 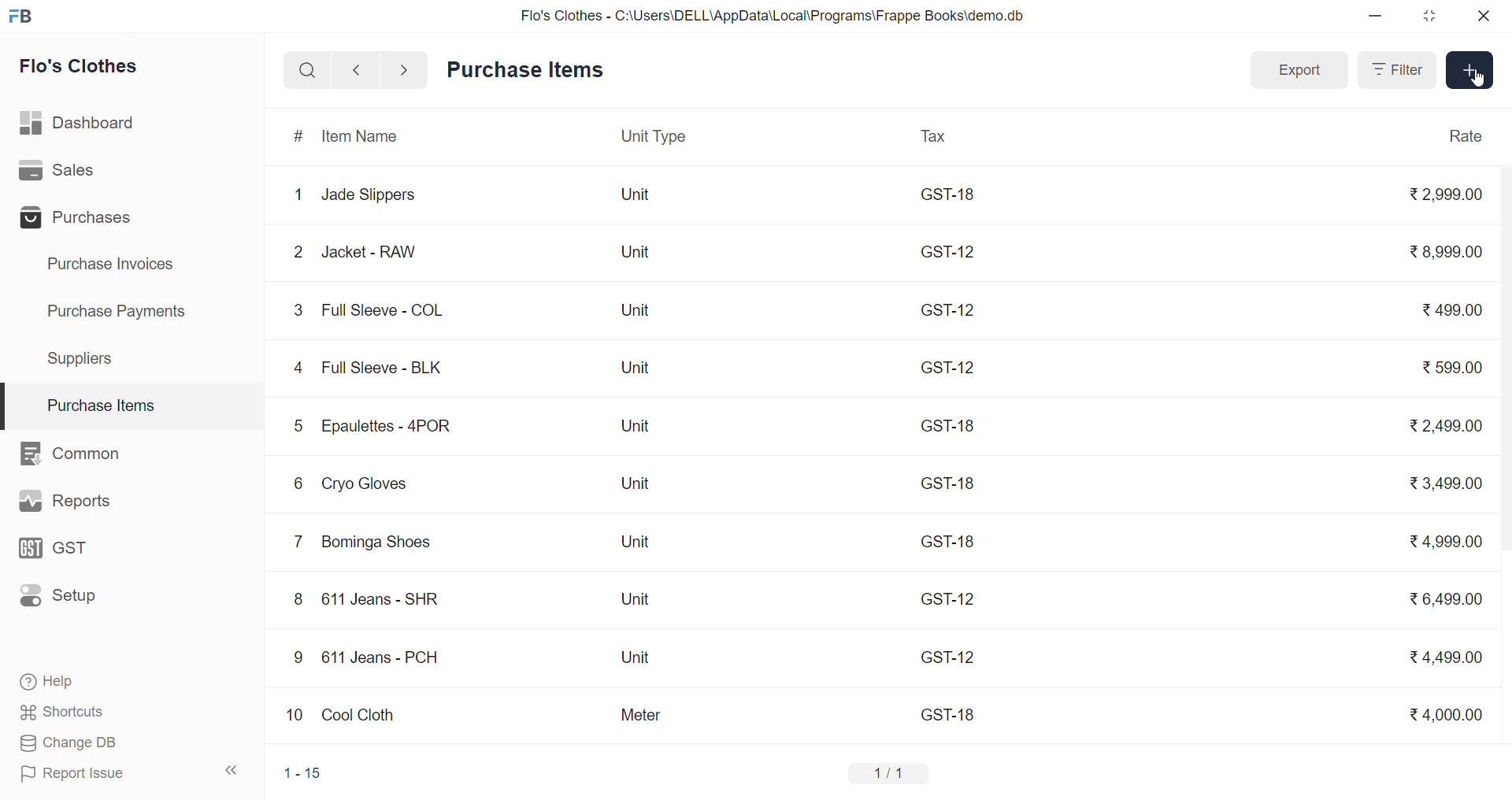 What do you see at coordinates (306, 69) in the screenshot?
I see `search` at bounding box center [306, 69].